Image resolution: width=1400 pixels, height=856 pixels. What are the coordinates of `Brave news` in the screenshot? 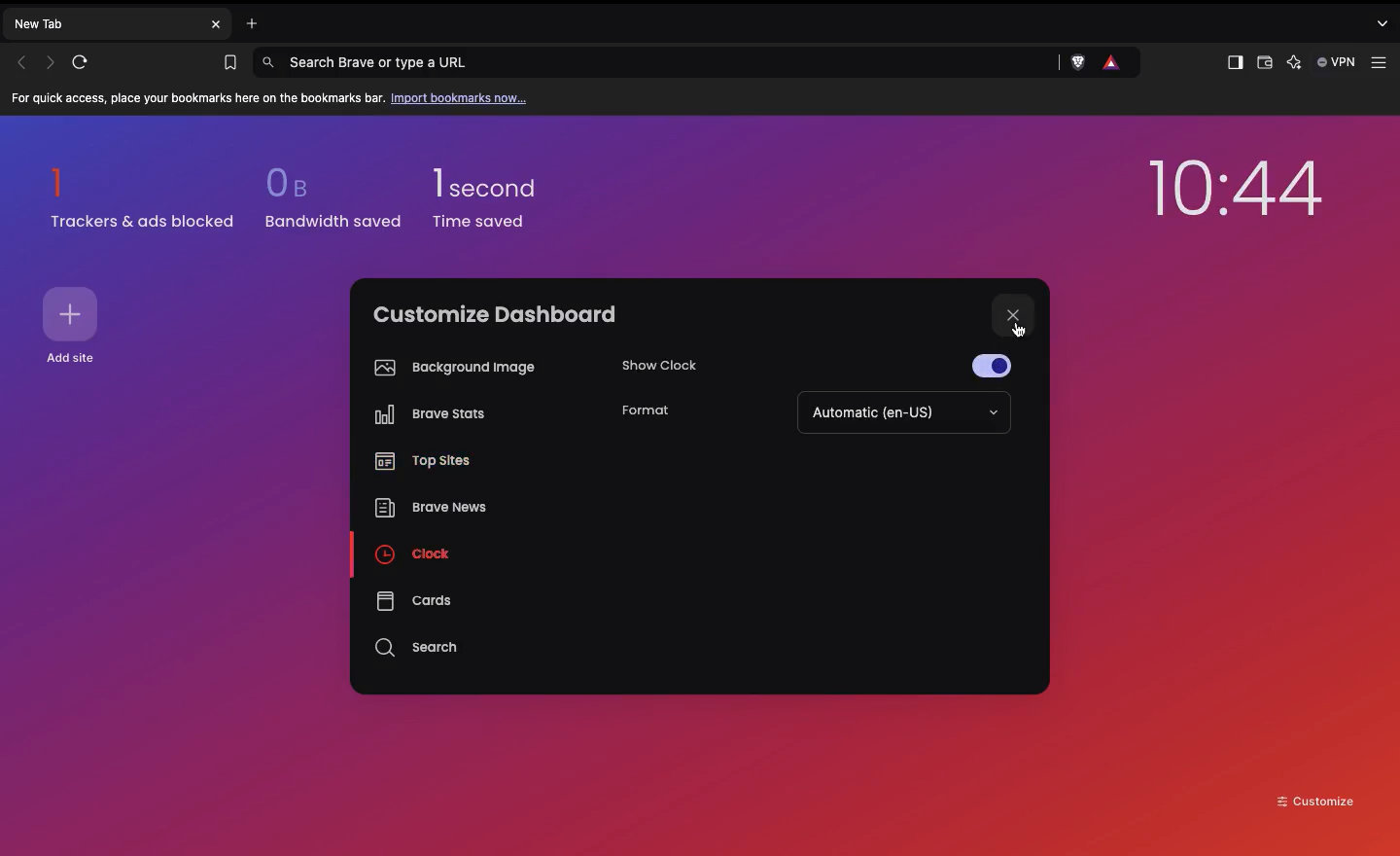 It's located at (429, 510).